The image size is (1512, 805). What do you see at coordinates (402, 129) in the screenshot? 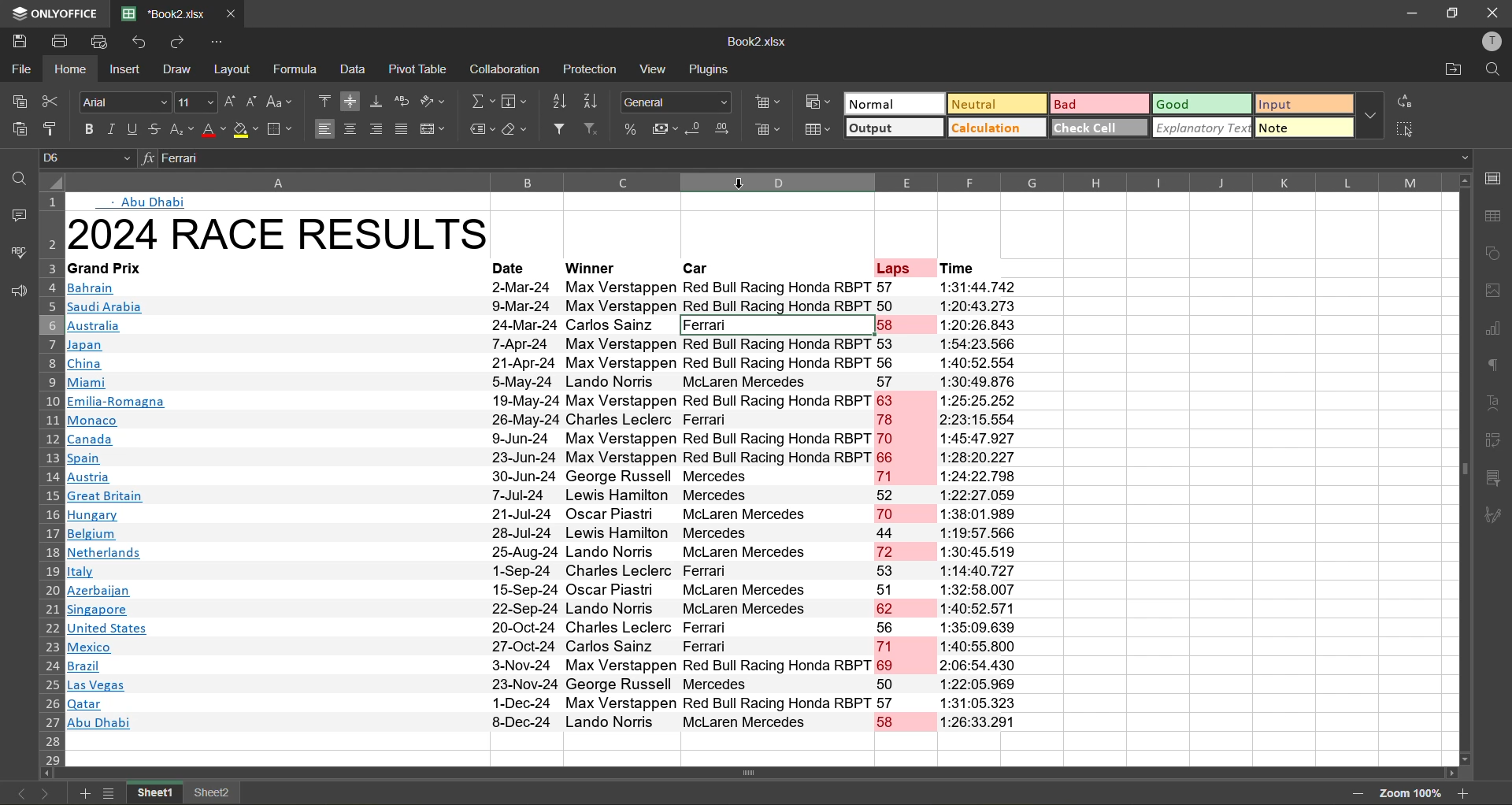
I see `justified` at bounding box center [402, 129].